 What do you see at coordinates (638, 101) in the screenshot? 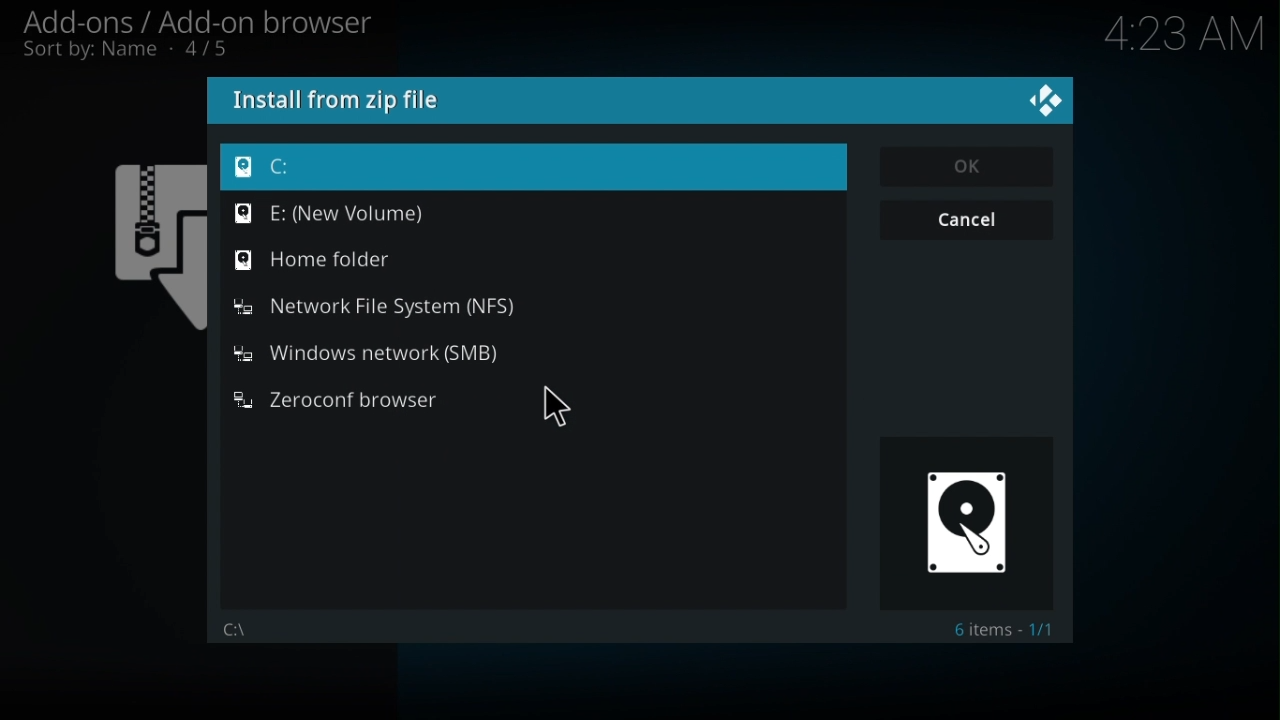
I see `Install from a Zip file` at bounding box center [638, 101].